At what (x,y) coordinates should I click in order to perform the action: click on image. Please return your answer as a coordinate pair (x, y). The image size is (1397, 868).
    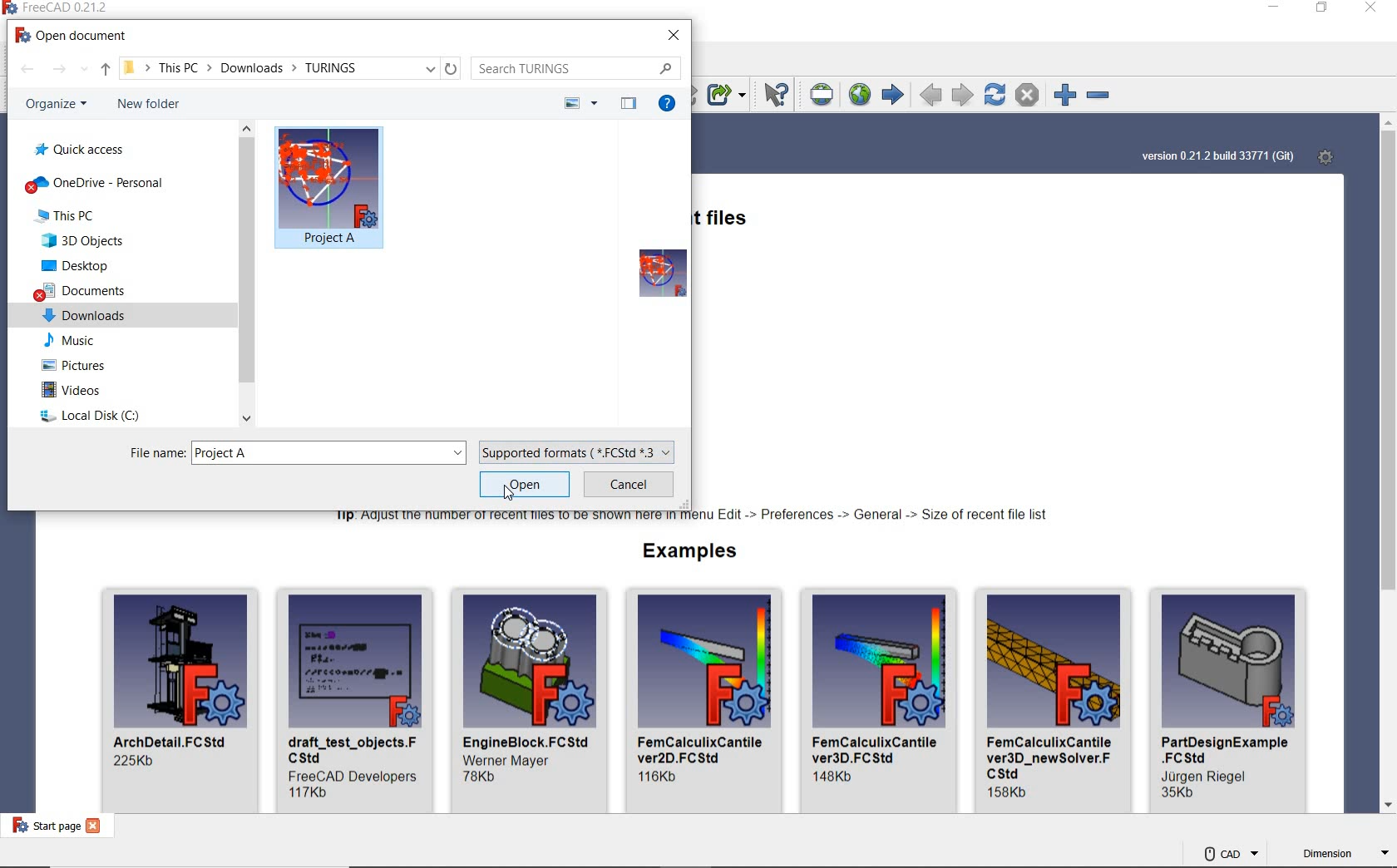
    Looking at the image, I should click on (705, 660).